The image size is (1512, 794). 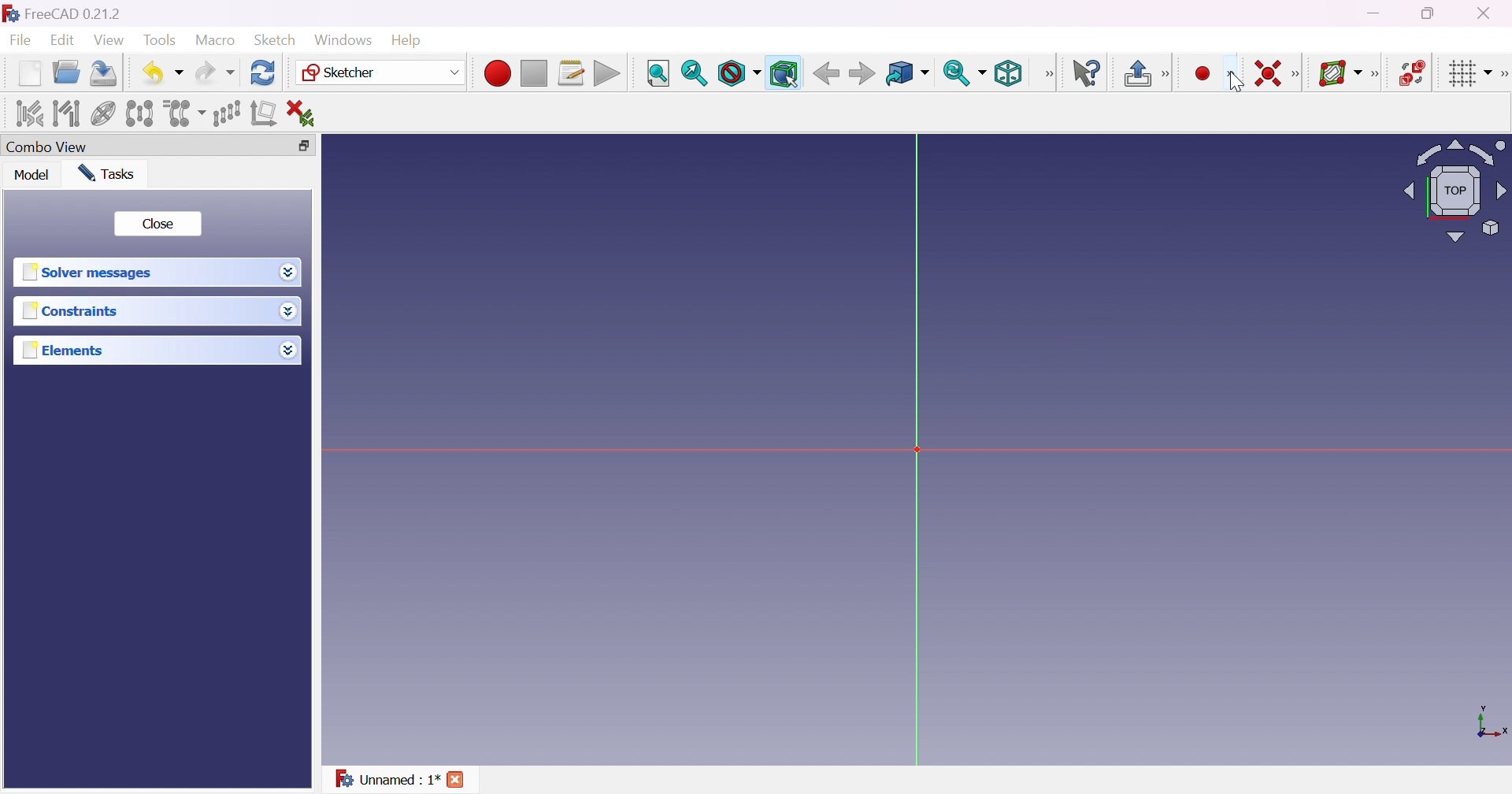 I want to click on Back, so click(x=861, y=73).